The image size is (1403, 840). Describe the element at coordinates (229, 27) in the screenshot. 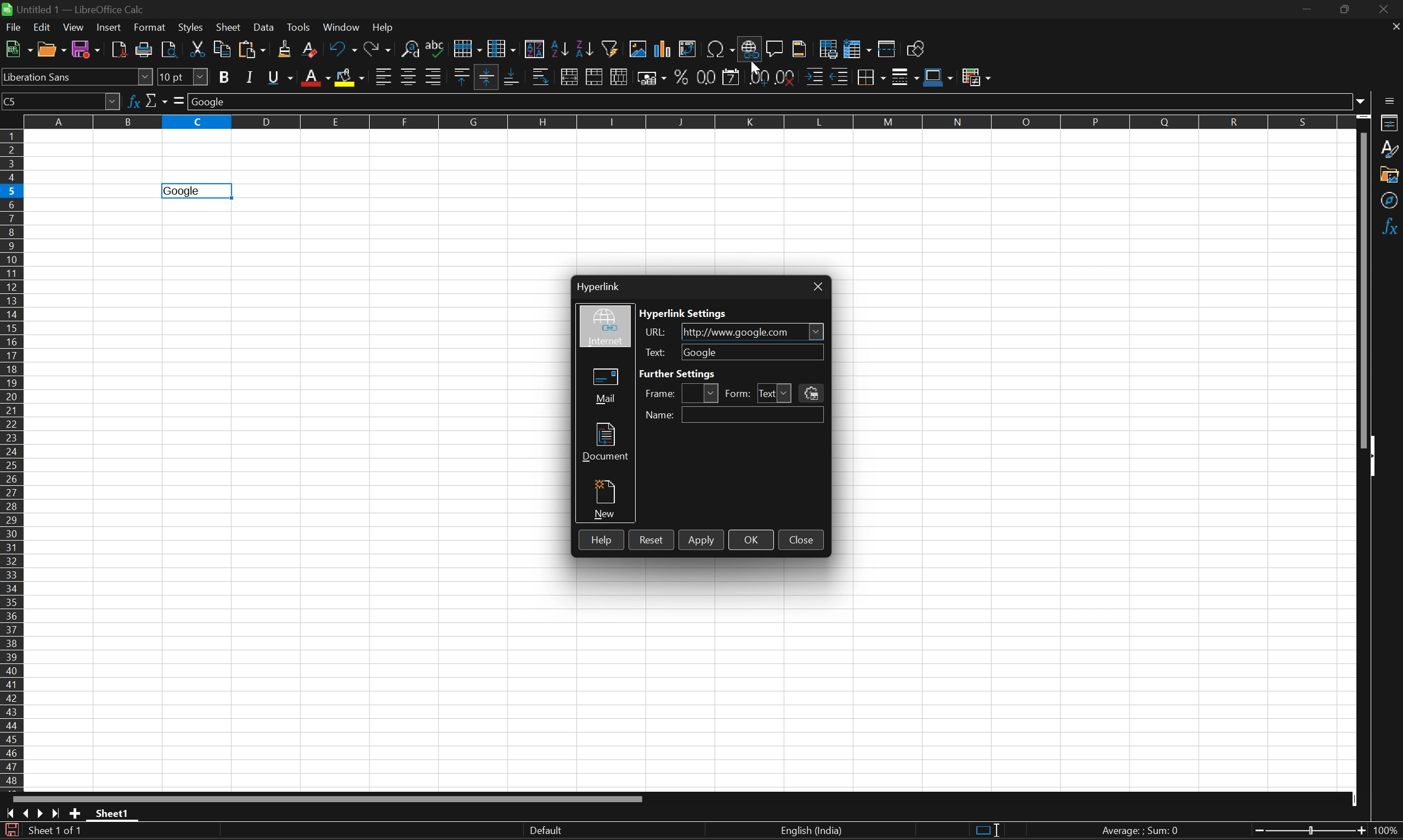

I see `Sheet` at that location.